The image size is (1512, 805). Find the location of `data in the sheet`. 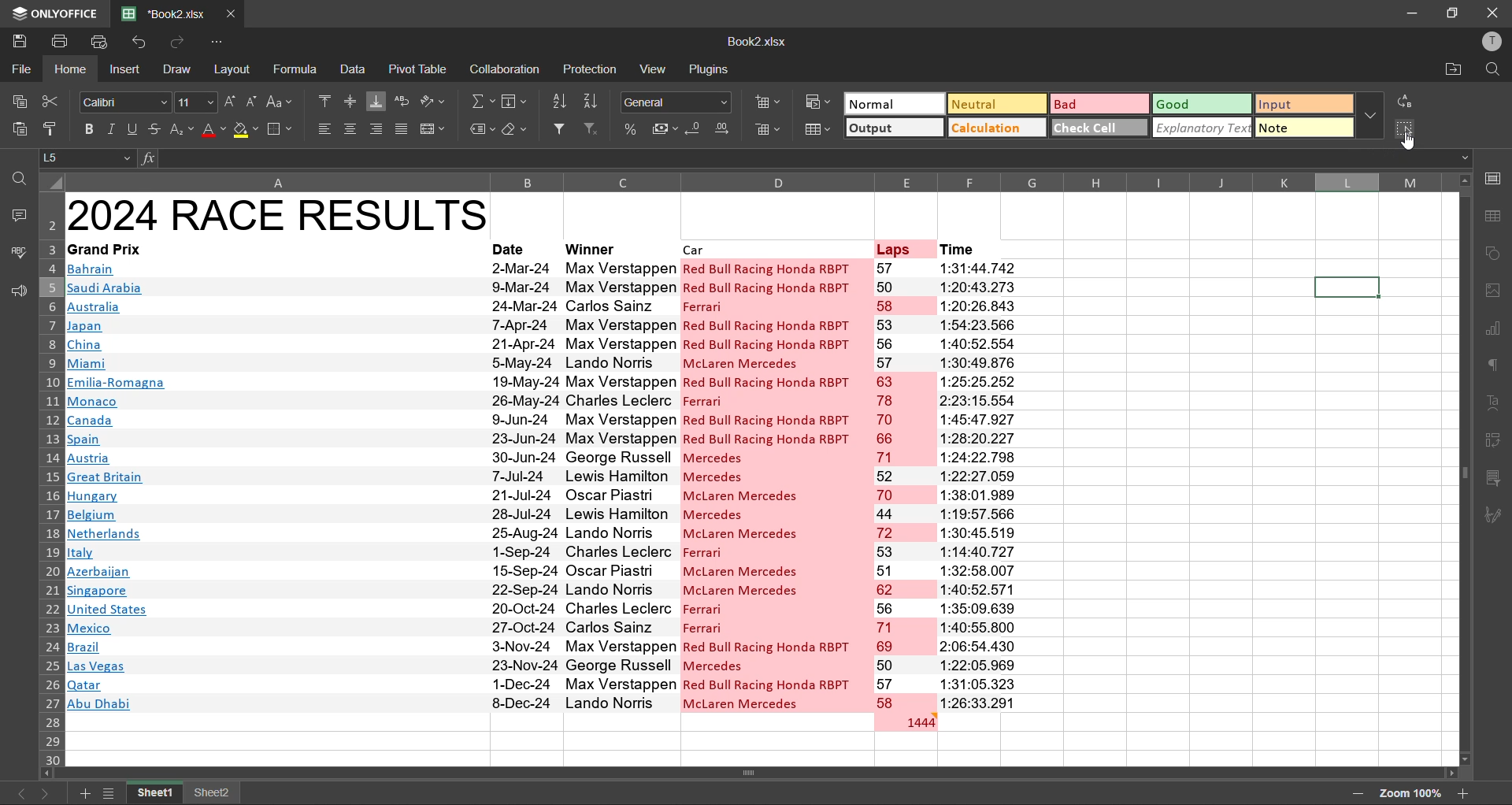

data in the sheet is located at coordinates (580, 468).